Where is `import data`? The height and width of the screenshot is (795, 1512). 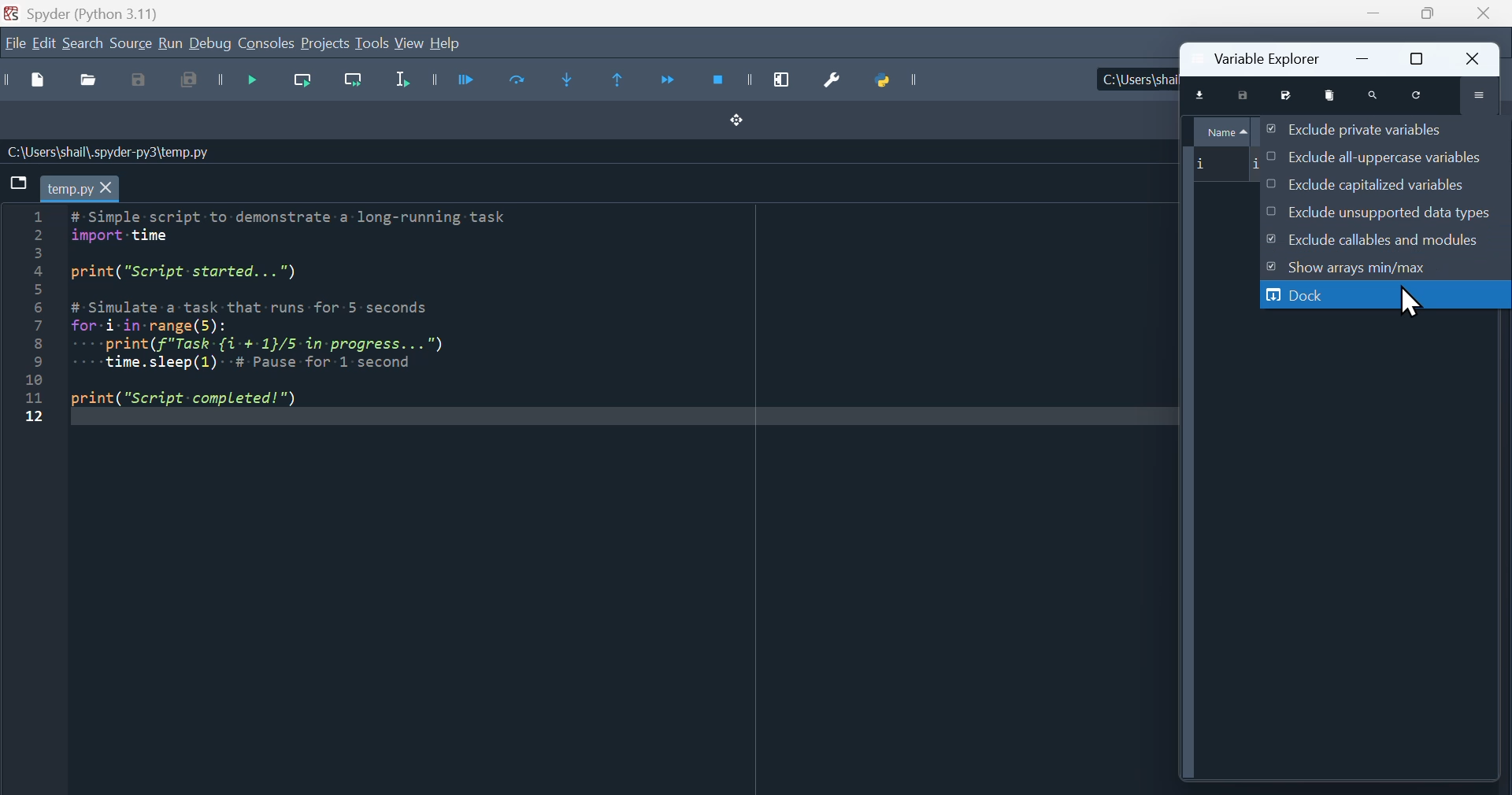
import data is located at coordinates (1203, 96).